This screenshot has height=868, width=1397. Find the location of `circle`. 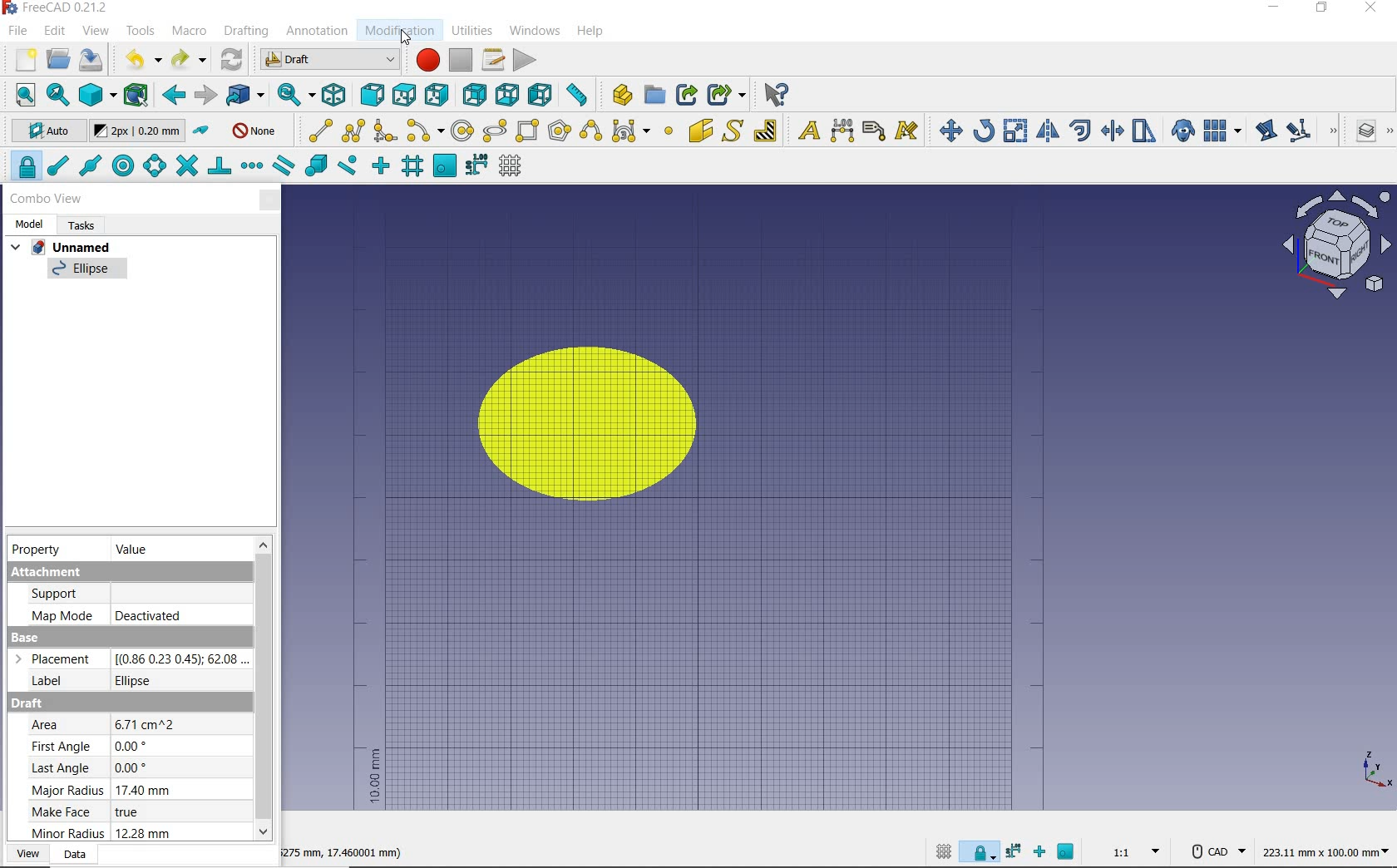

circle is located at coordinates (462, 132).